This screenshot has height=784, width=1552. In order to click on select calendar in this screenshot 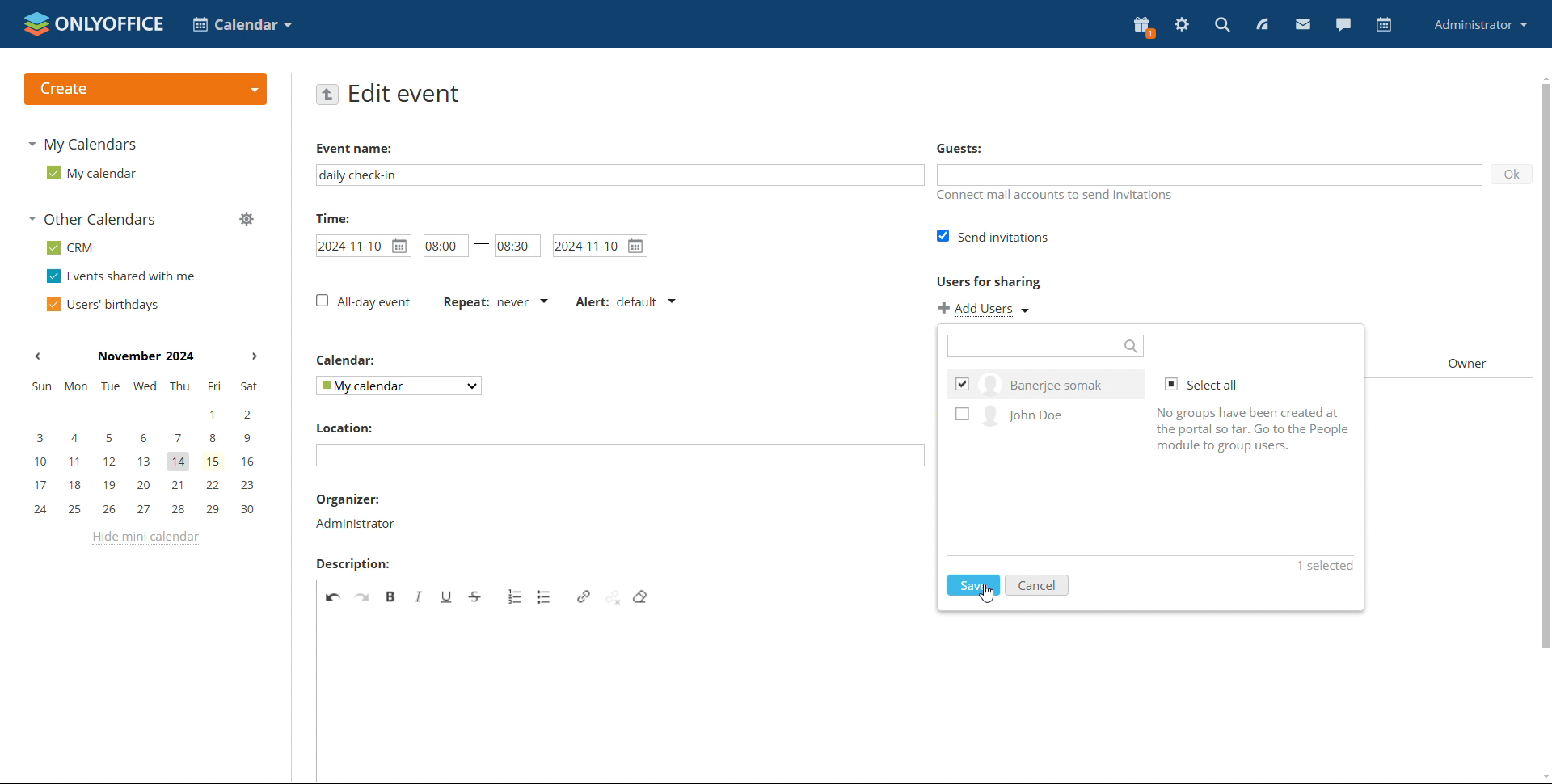, I will do `click(400, 386)`.